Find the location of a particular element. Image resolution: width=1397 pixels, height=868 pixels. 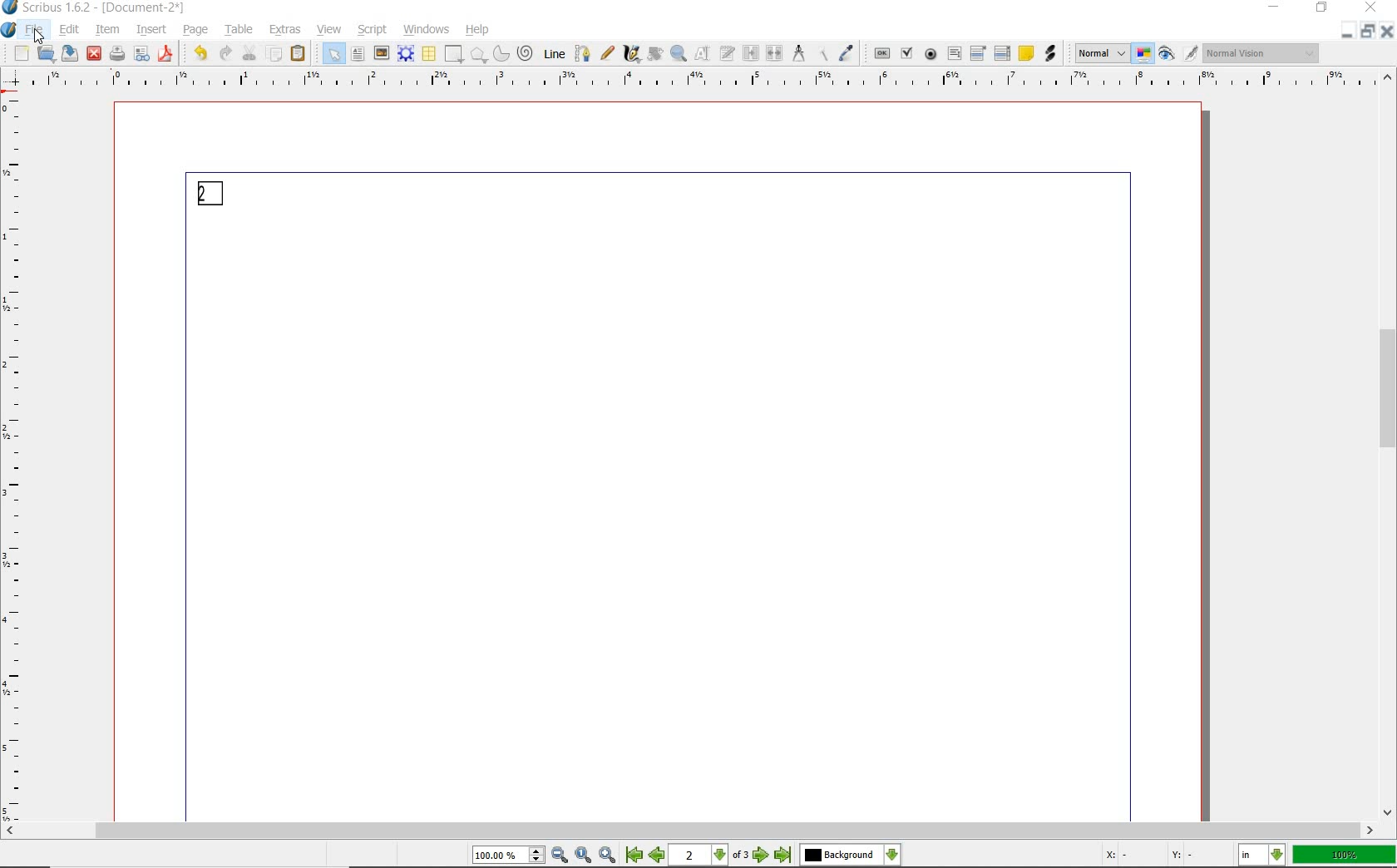

pdf list box is located at coordinates (1003, 54).